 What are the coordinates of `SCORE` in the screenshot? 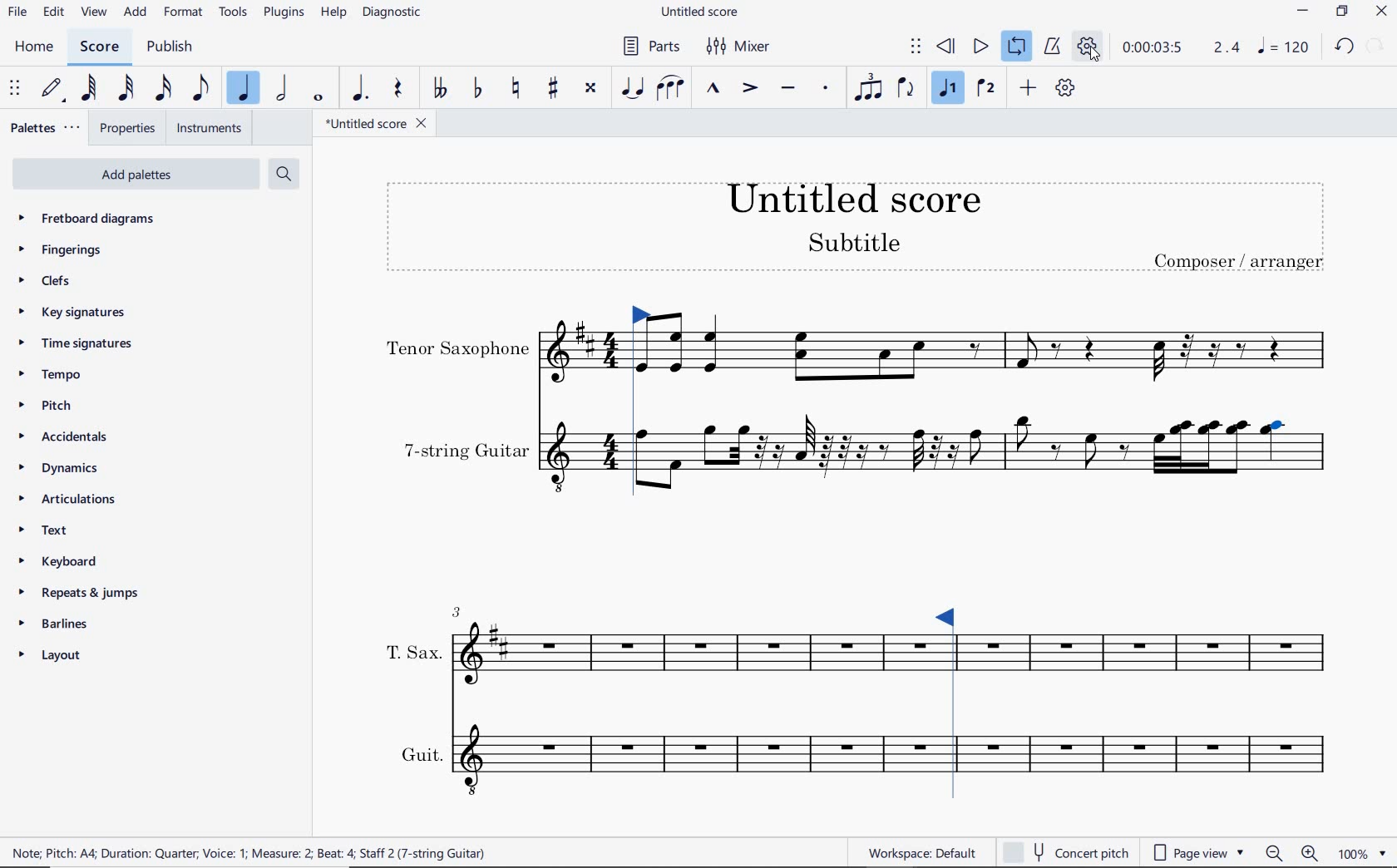 It's located at (97, 47).